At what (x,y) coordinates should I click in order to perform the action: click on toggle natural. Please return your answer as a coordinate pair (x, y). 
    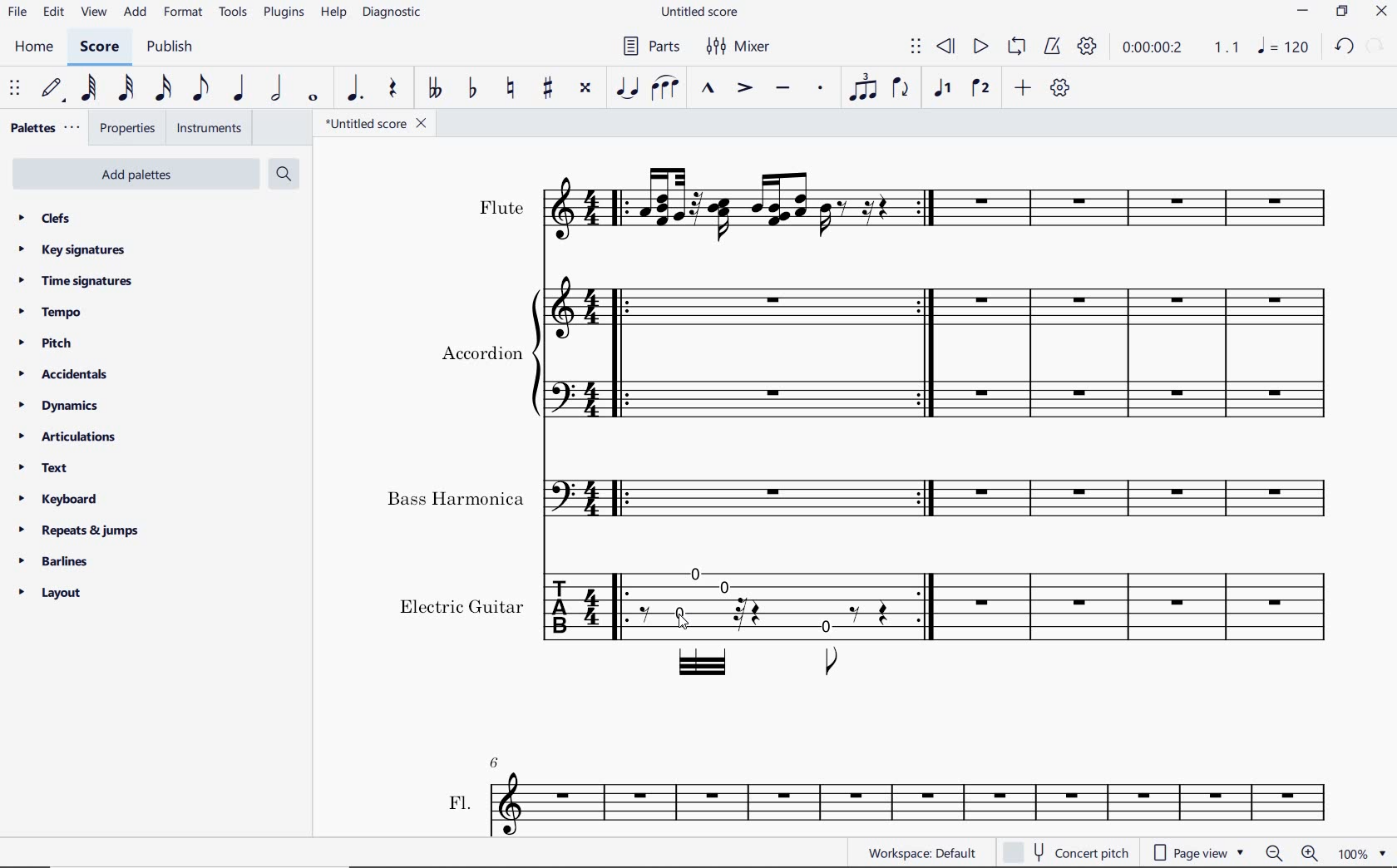
    Looking at the image, I should click on (511, 88).